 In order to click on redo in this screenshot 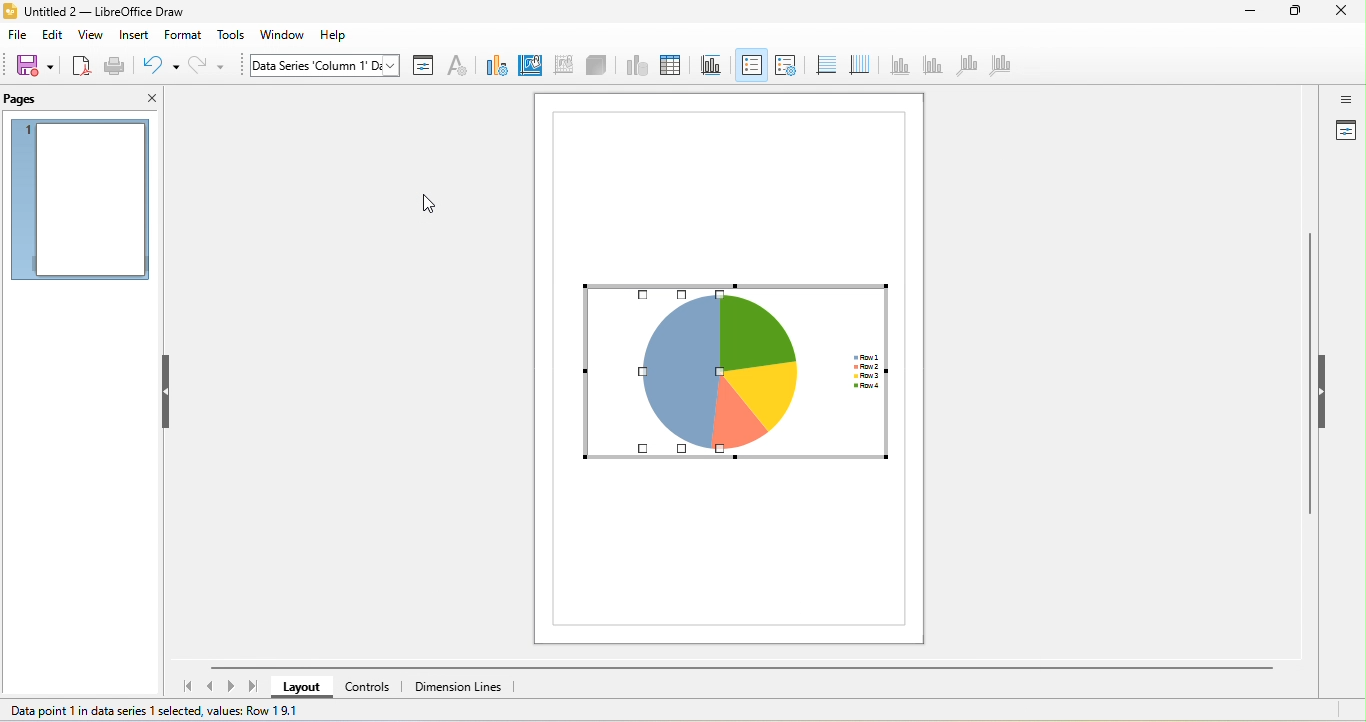, I will do `click(210, 66)`.